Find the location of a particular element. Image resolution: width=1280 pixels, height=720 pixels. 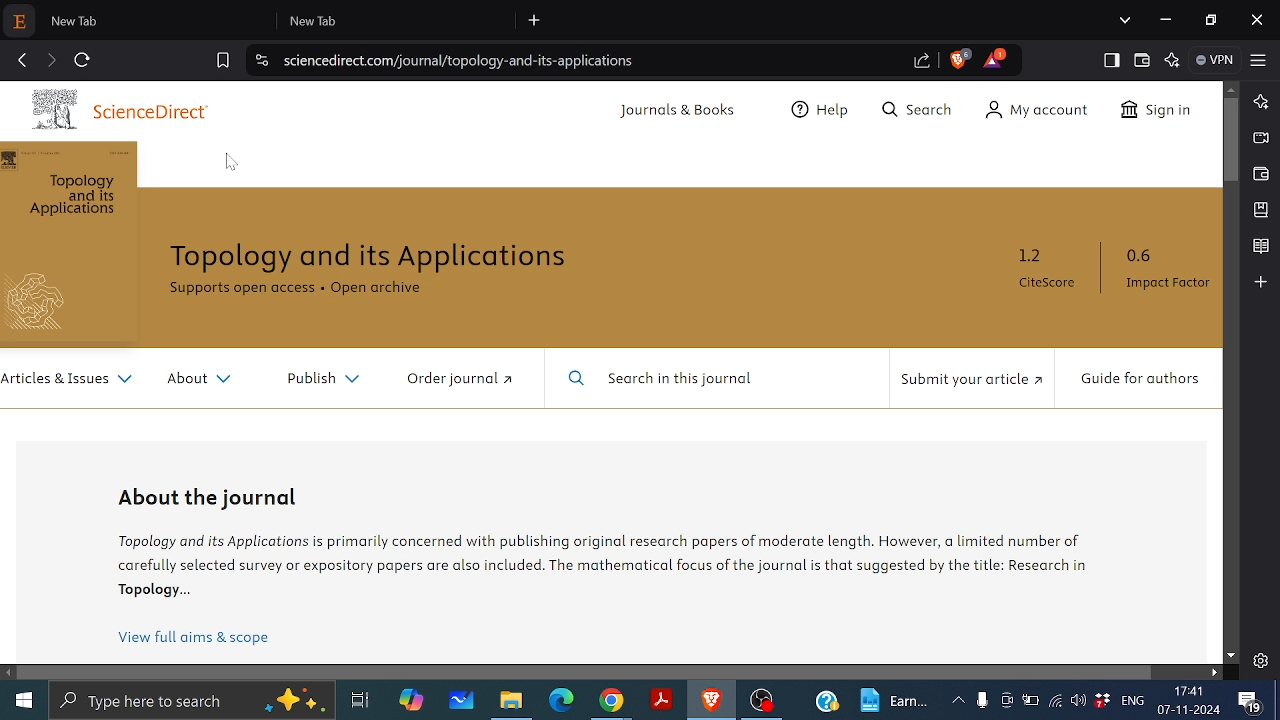

Brave shield is located at coordinates (960, 59).